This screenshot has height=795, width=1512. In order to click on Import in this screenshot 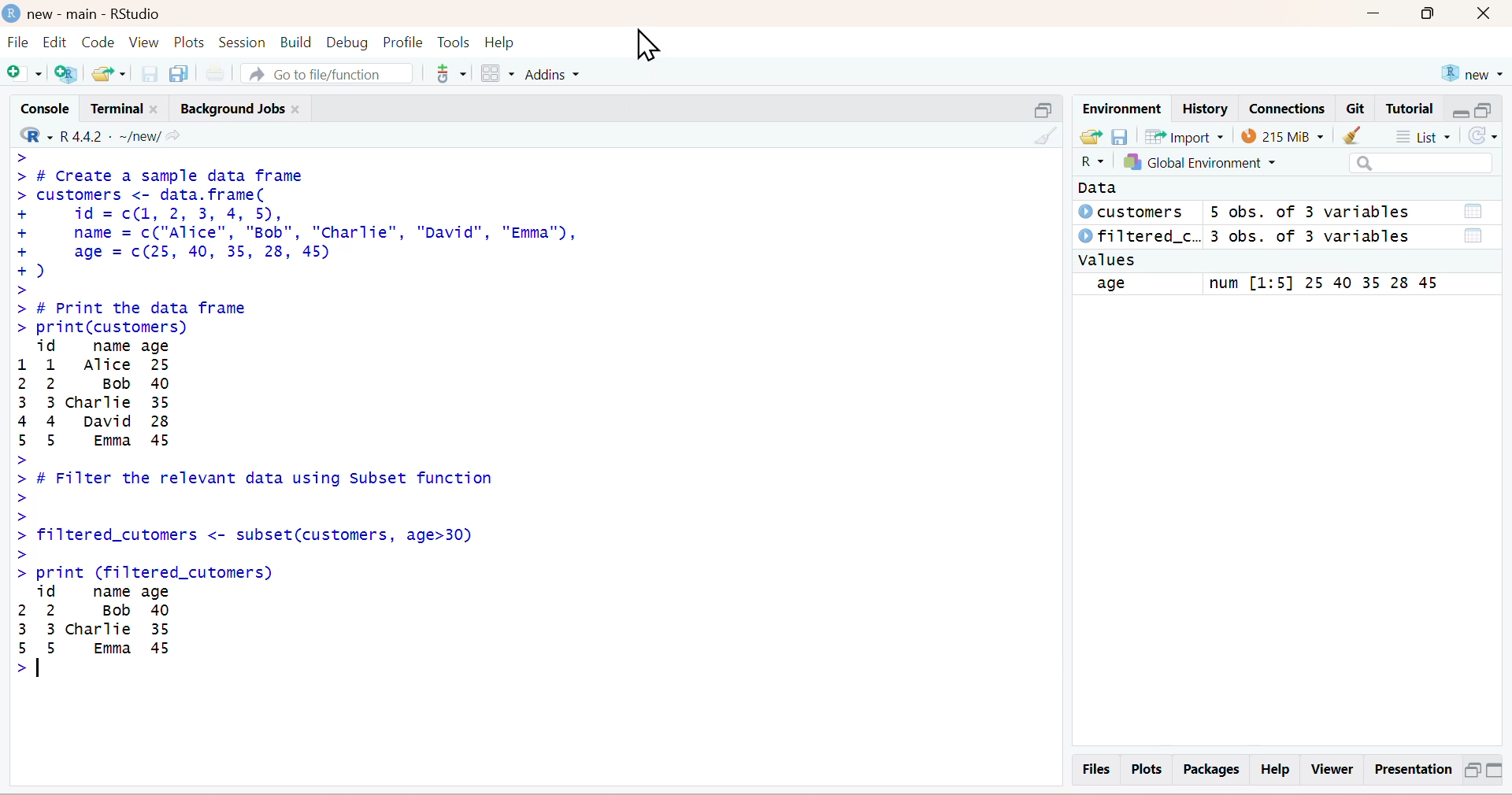, I will do `click(1188, 137)`.